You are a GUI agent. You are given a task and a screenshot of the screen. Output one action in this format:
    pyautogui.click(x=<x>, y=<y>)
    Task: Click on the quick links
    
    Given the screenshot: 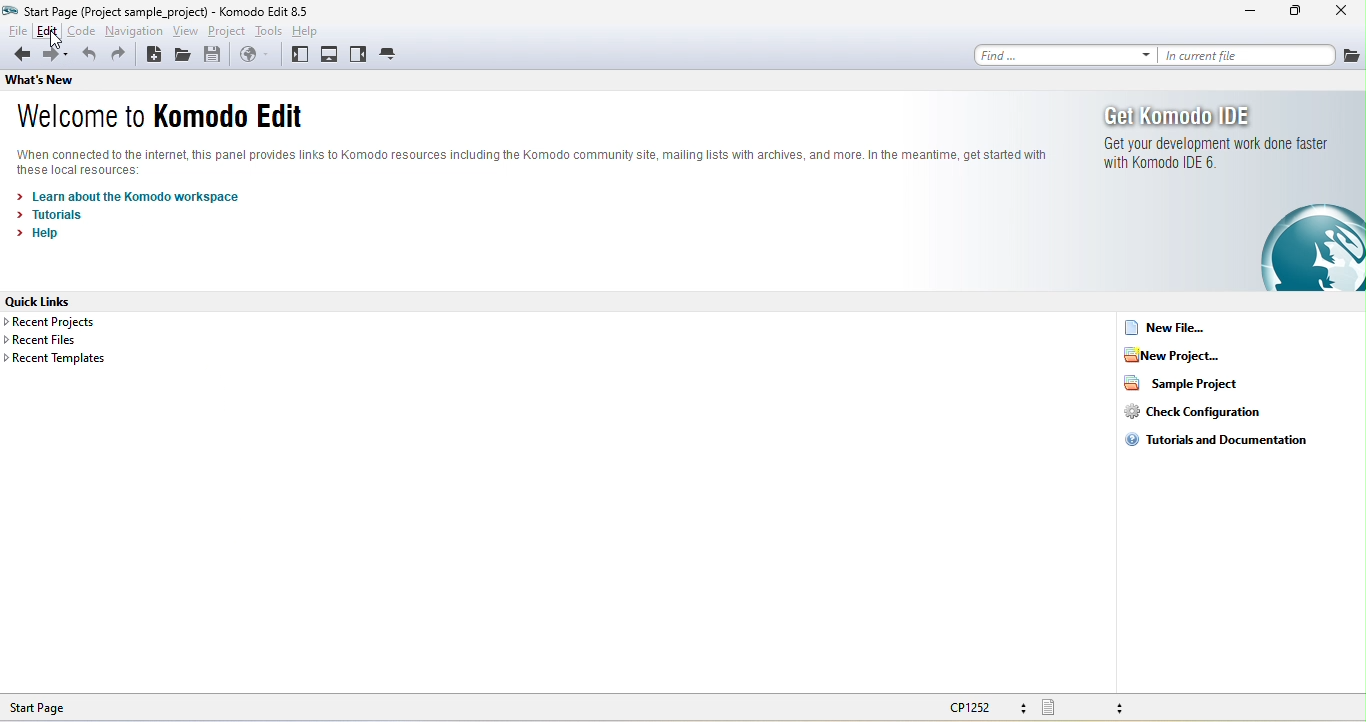 What is the action you would take?
    pyautogui.click(x=59, y=301)
    